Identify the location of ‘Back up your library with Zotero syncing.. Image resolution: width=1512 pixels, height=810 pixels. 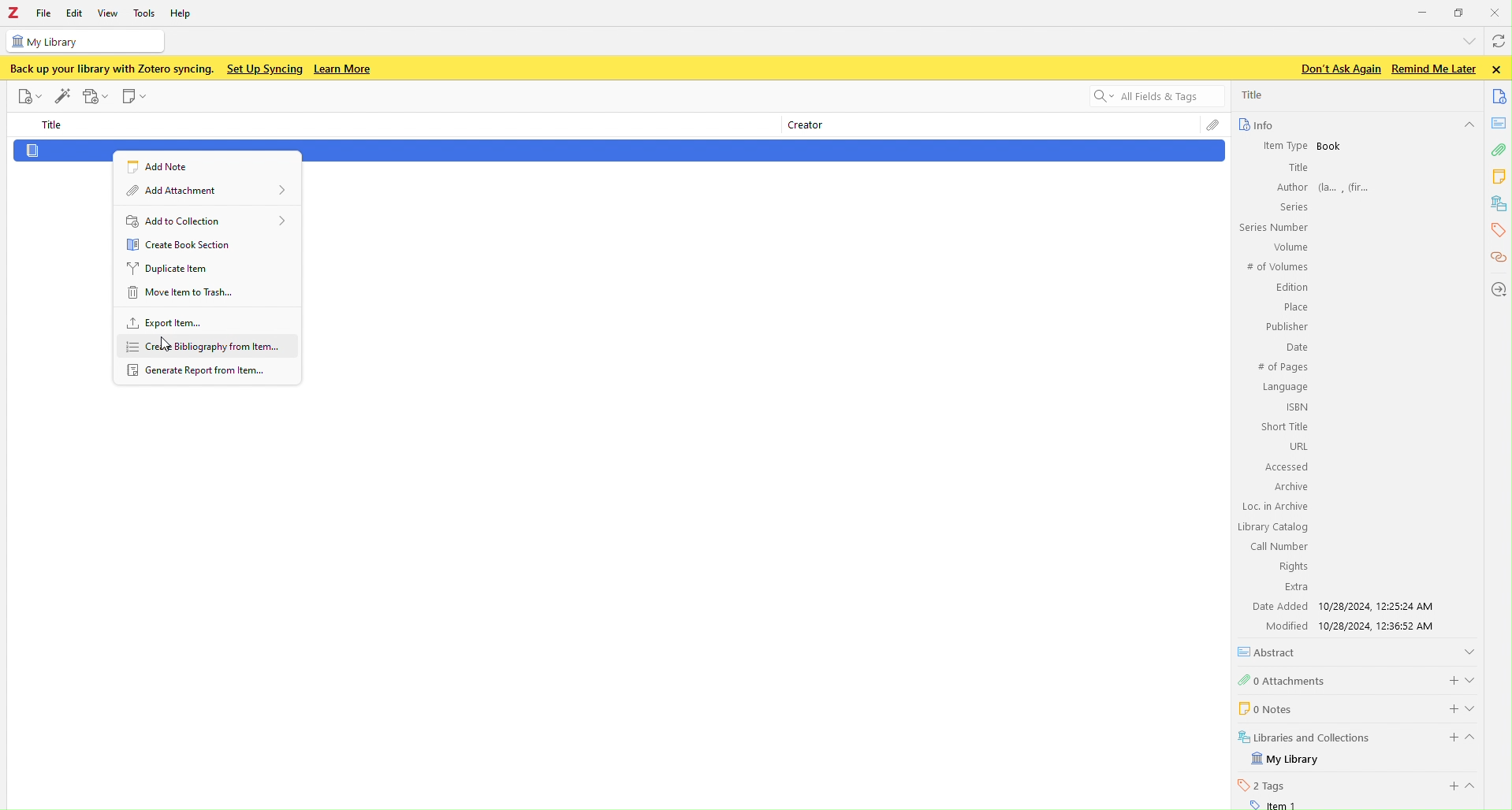
(110, 69).